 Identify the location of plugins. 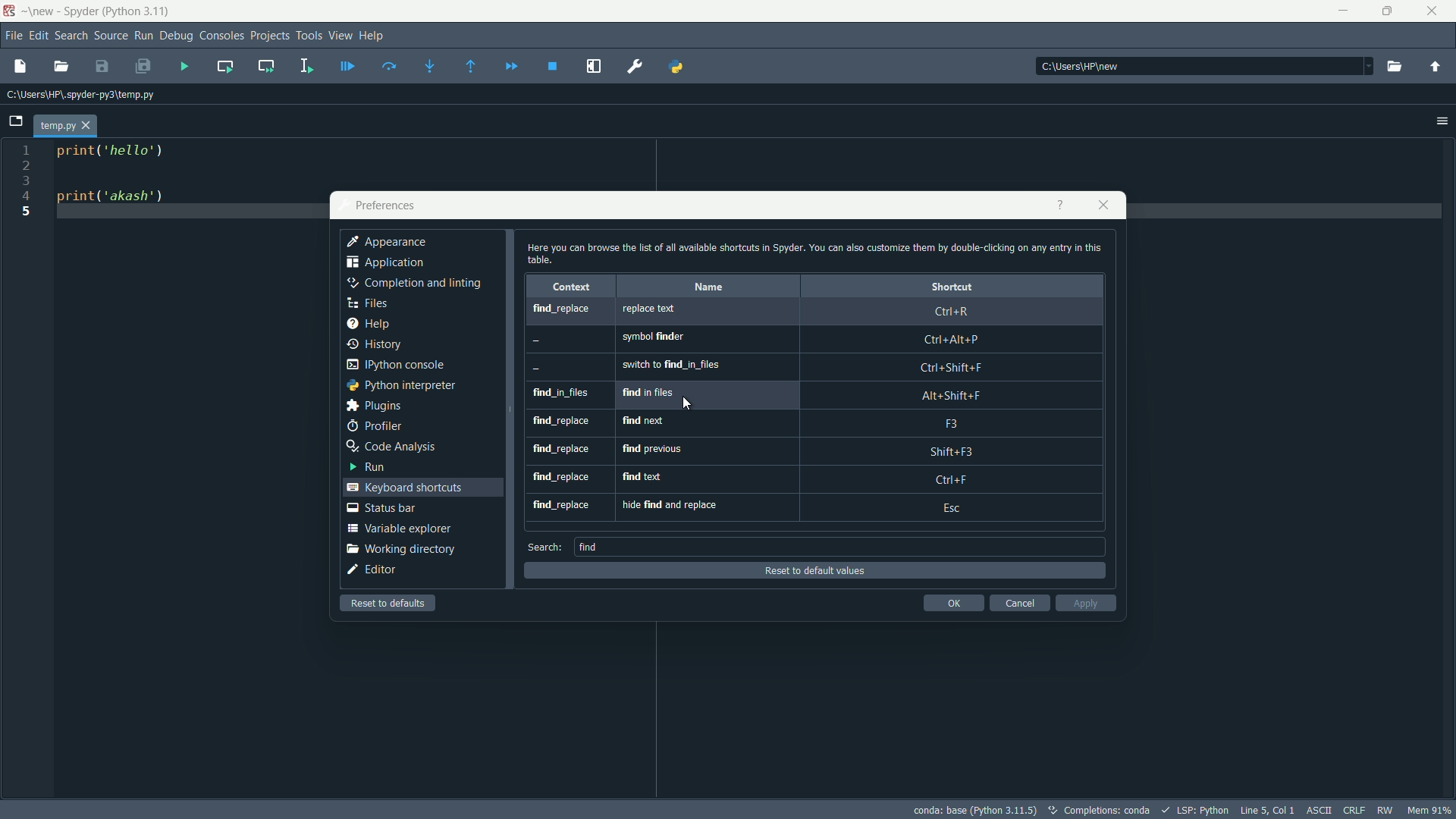
(378, 405).